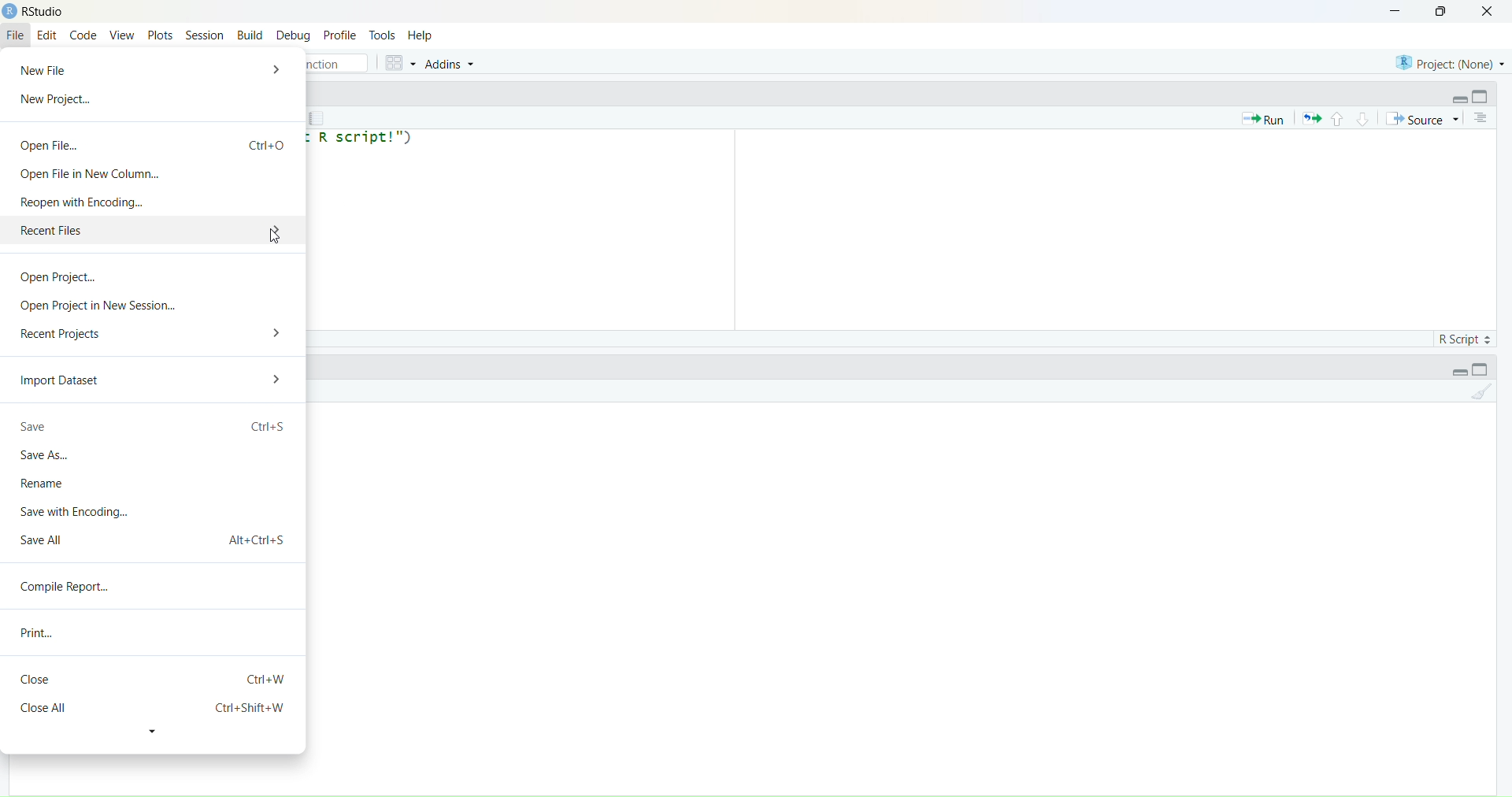 Image resolution: width=1512 pixels, height=797 pixels. What do you see at coordinates (47, 457) in the screenshot?
I see `Save As...` at bounding box center [47, 457].